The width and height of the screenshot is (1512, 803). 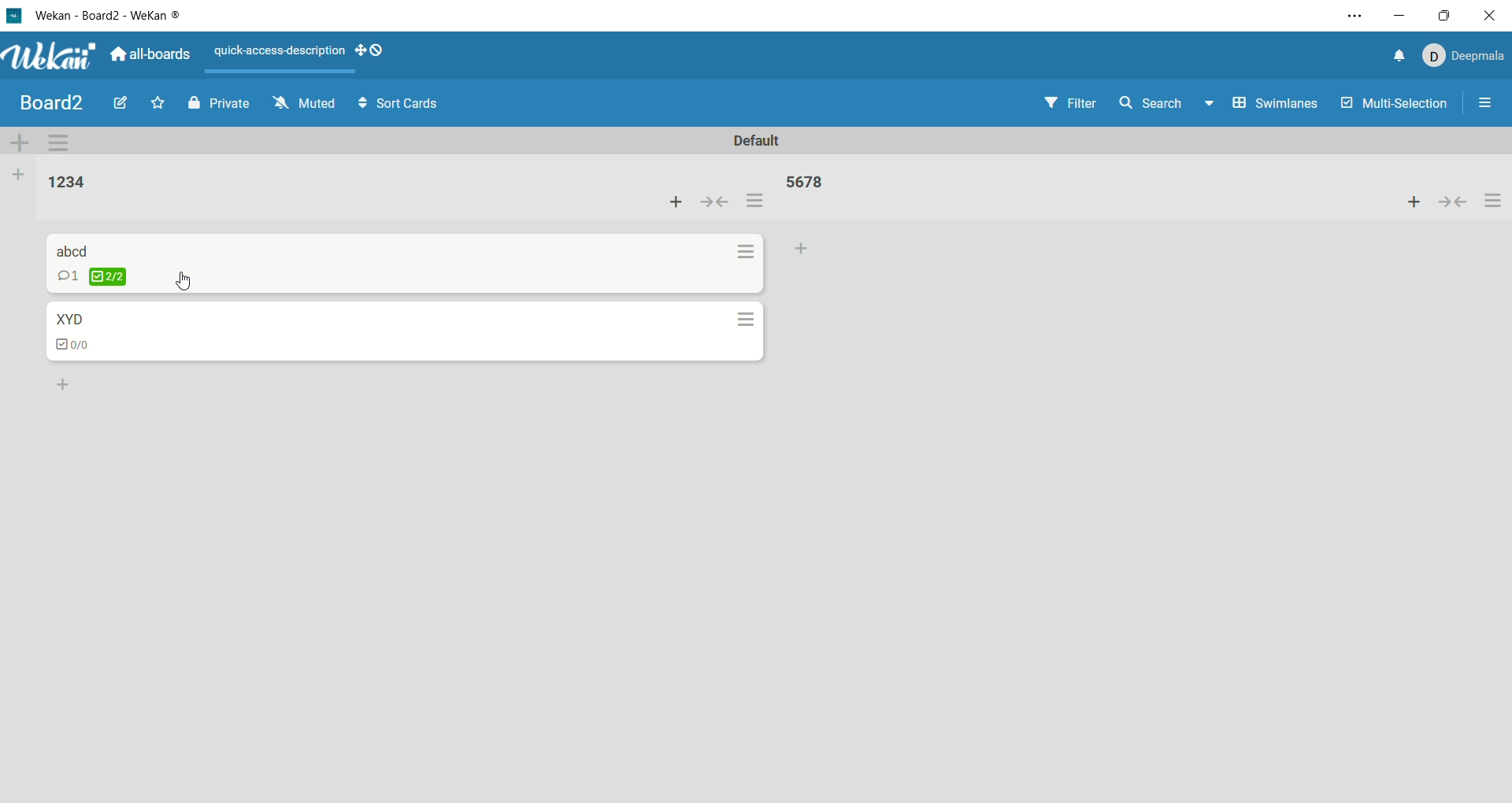 What do you see at coordinates (150, 53) in the screenshot?
I see `all boards` at bounding box center [150, 53].